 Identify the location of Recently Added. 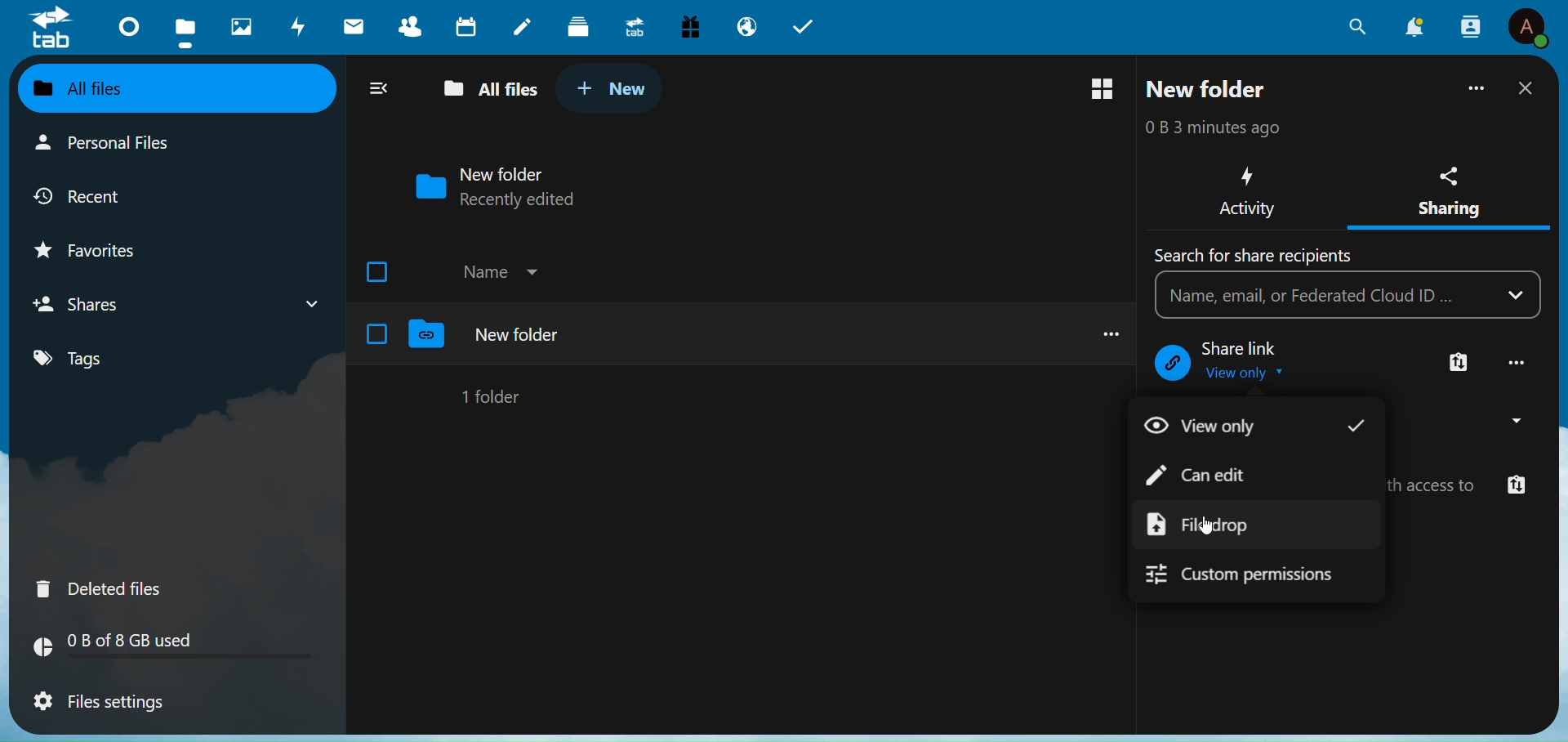
(532, 200).